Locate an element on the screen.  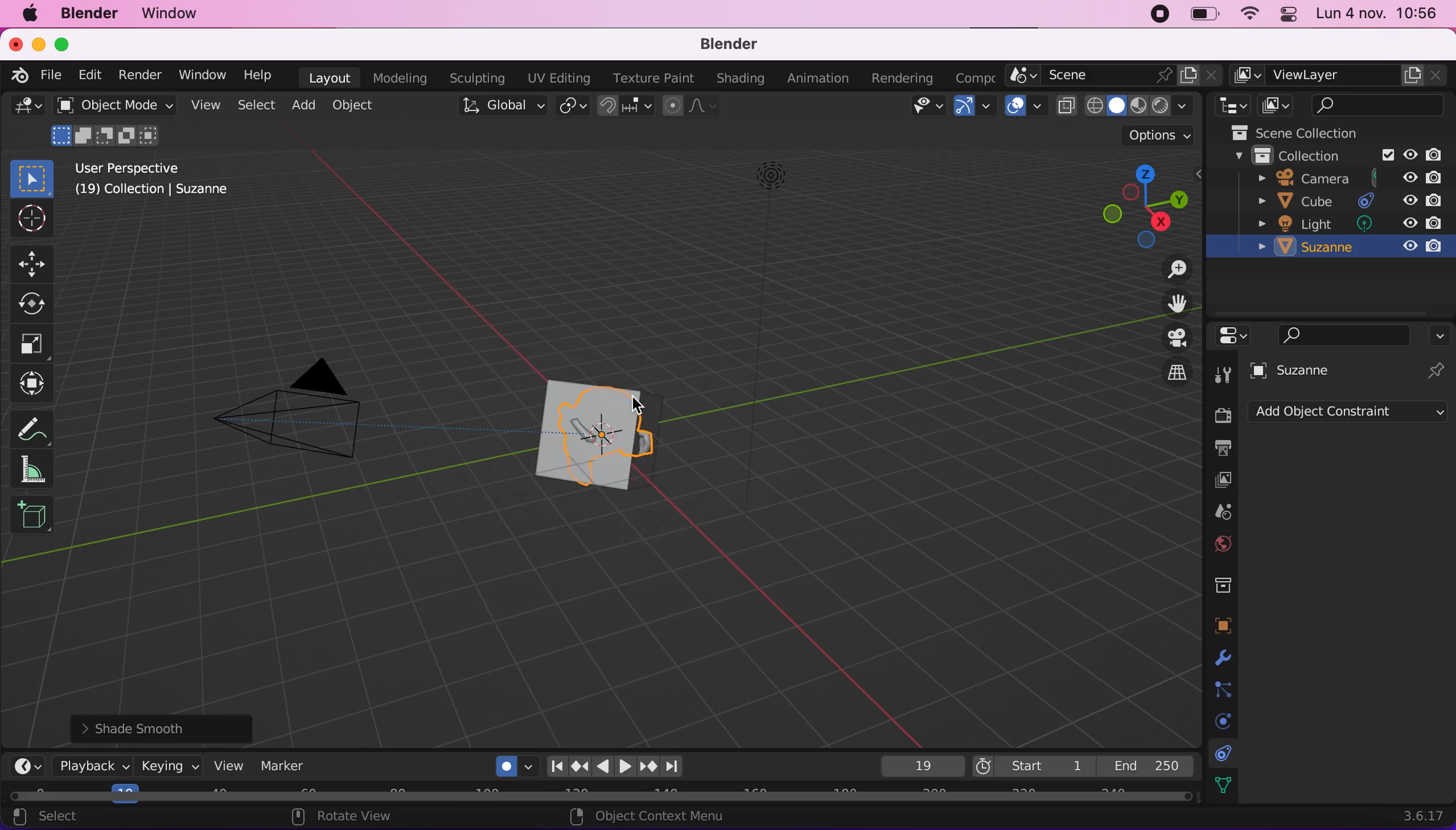
recording stopped is located at coordinates (1161, 15).